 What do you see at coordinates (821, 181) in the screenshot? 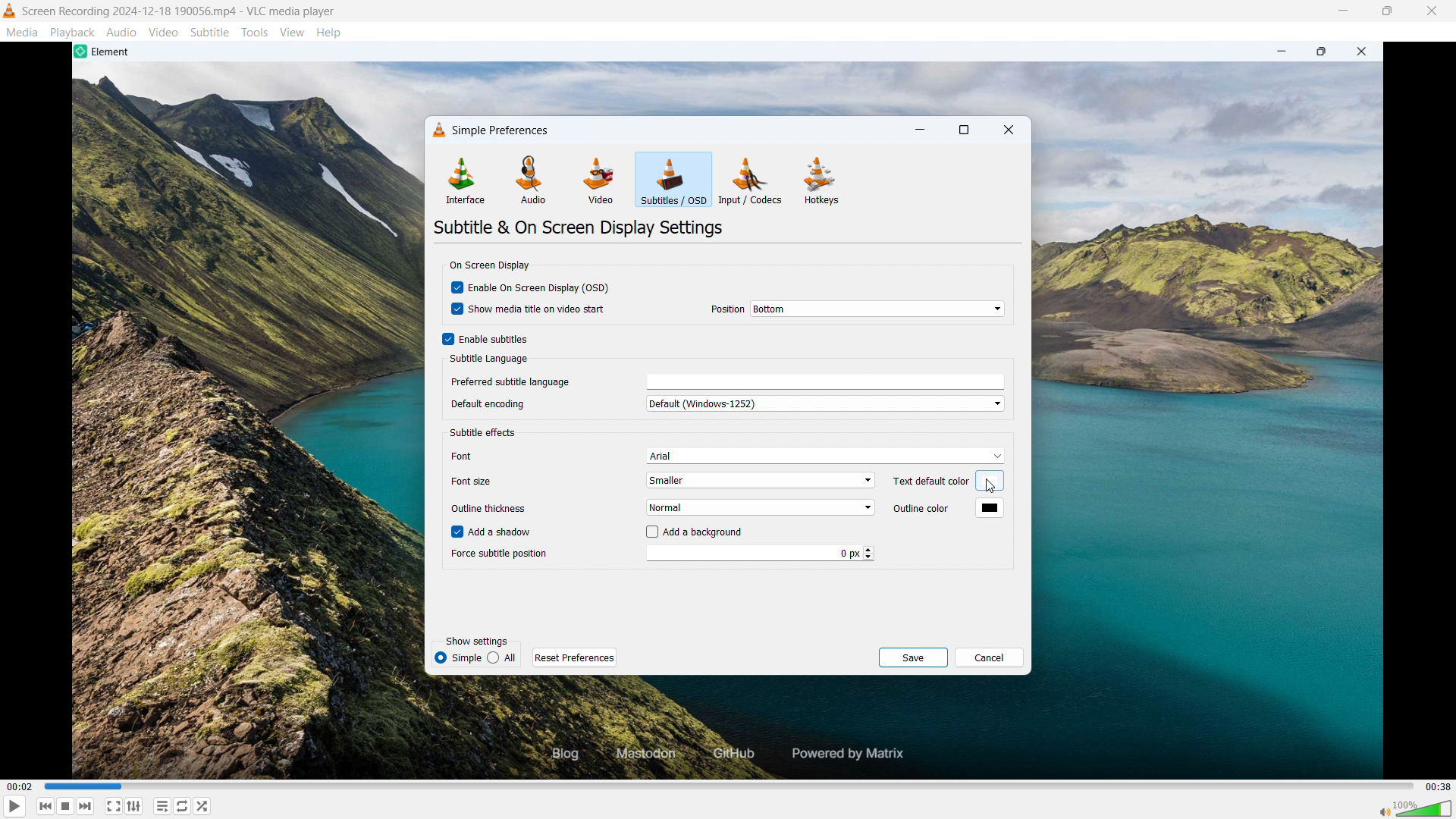
I see `Hot keys ` at bounding box center [821, 181].